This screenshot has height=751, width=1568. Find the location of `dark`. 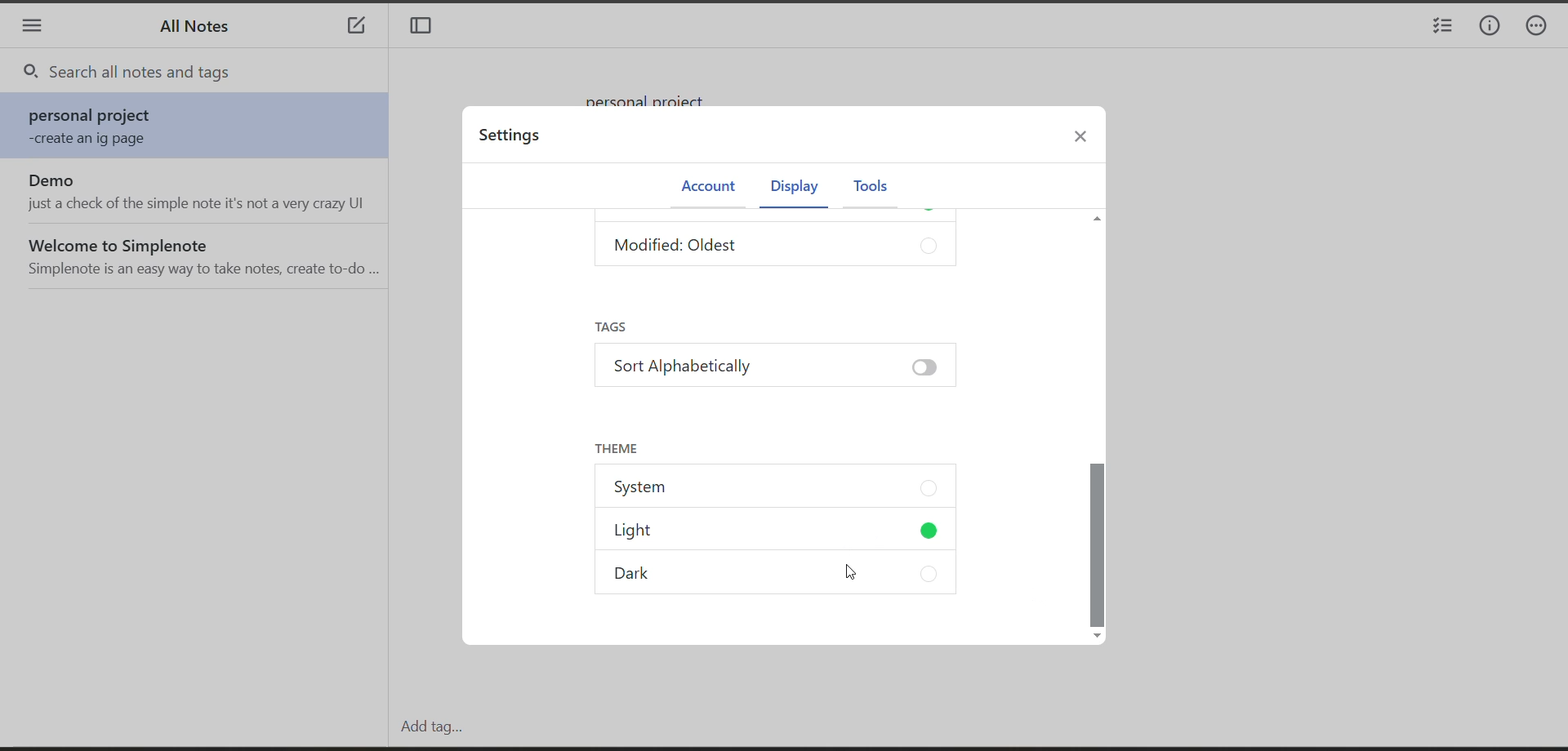

dark is located at coordinates (786, 576).